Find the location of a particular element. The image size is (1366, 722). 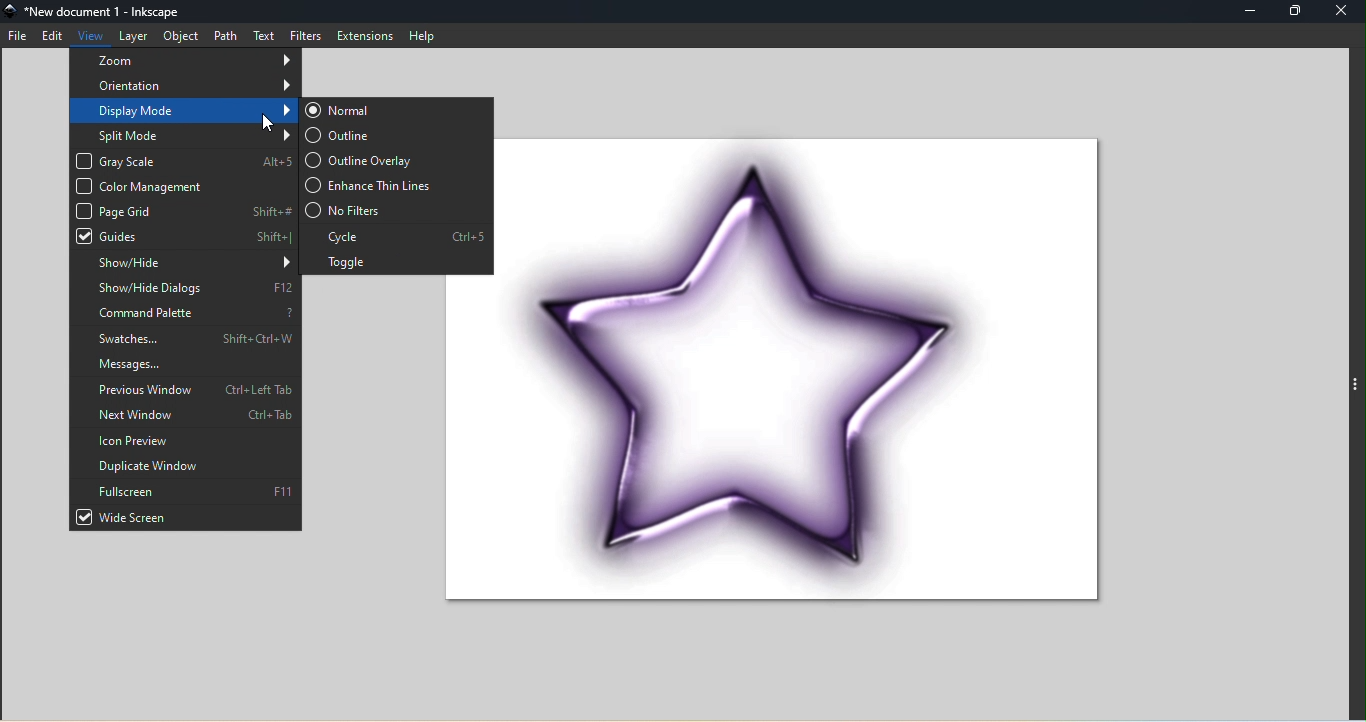

Edit is located at coordinates (50, 34).